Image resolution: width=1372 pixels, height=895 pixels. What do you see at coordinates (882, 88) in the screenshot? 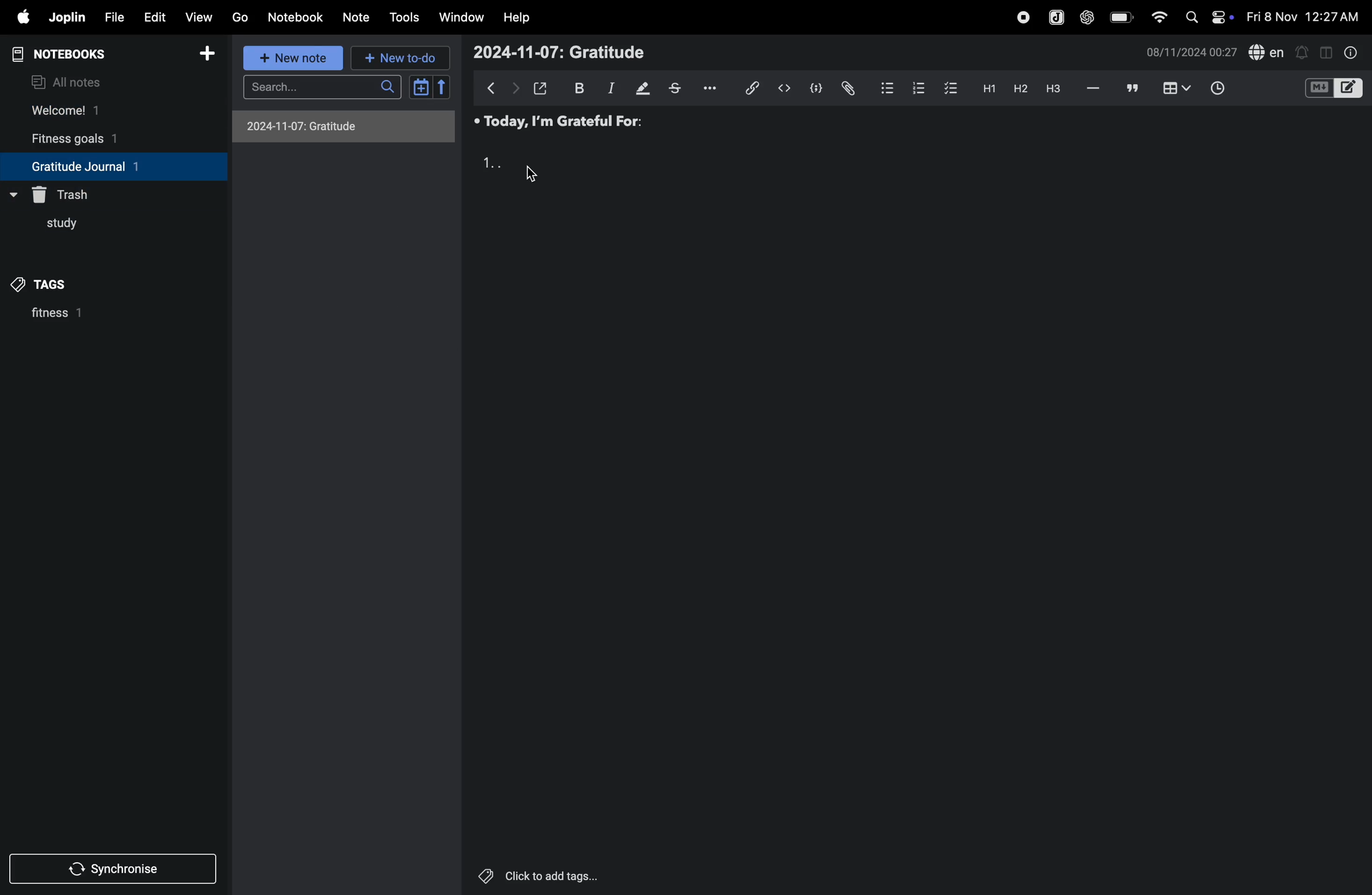
I see `bullet list` at bounding box center [882, 88].